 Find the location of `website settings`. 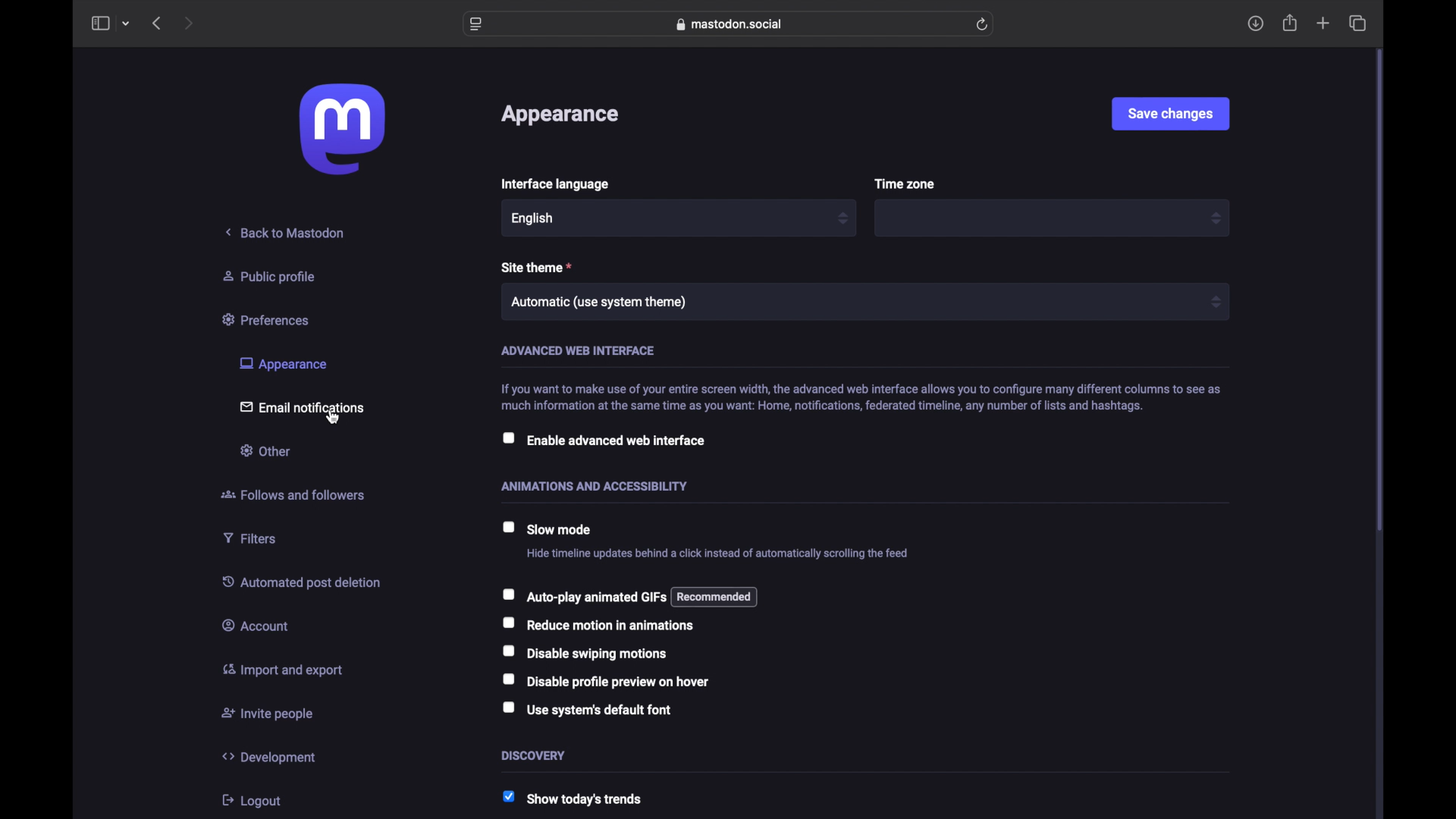

website settings is located at coordinates (476, 24).